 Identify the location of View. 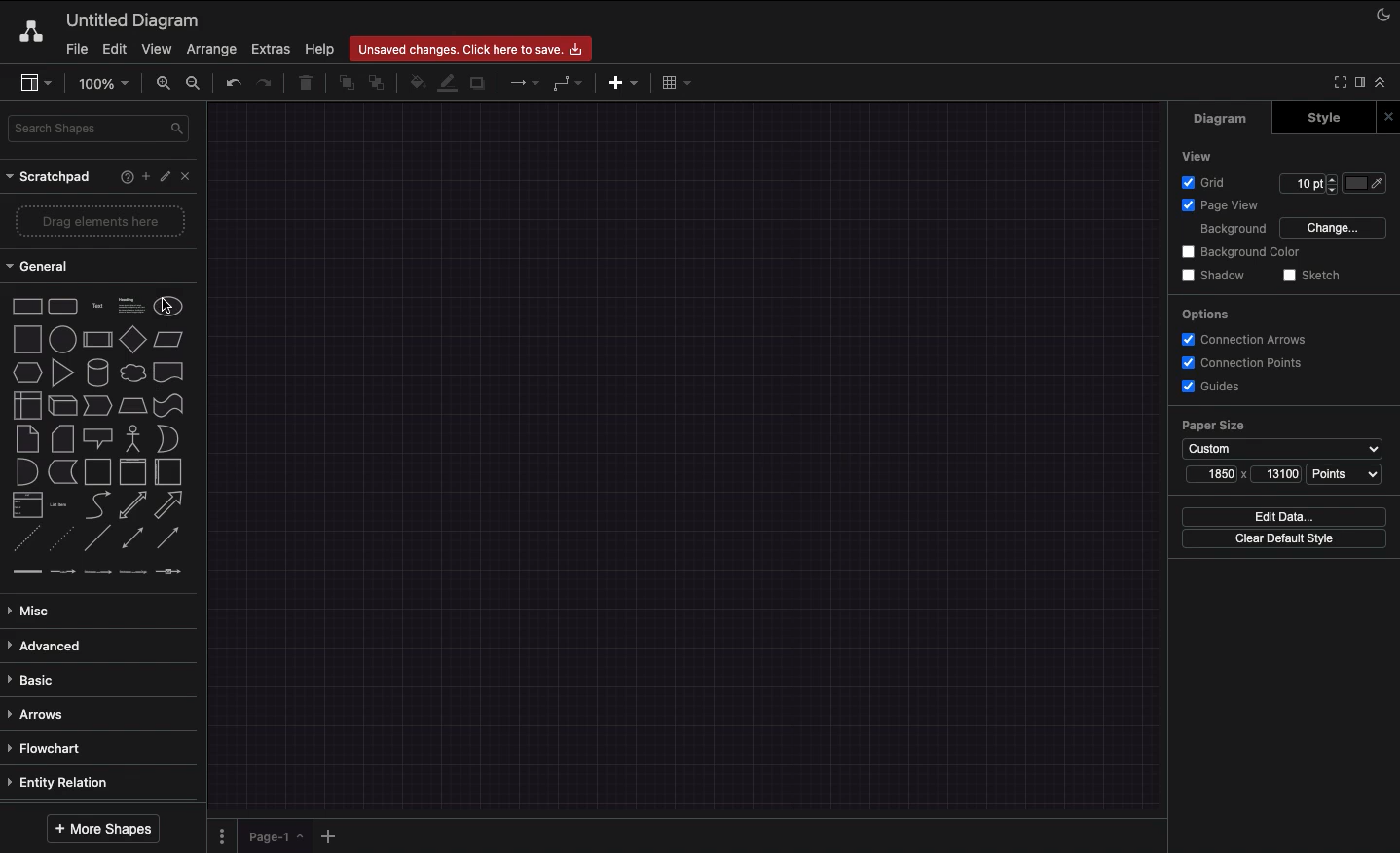
(157, 46).